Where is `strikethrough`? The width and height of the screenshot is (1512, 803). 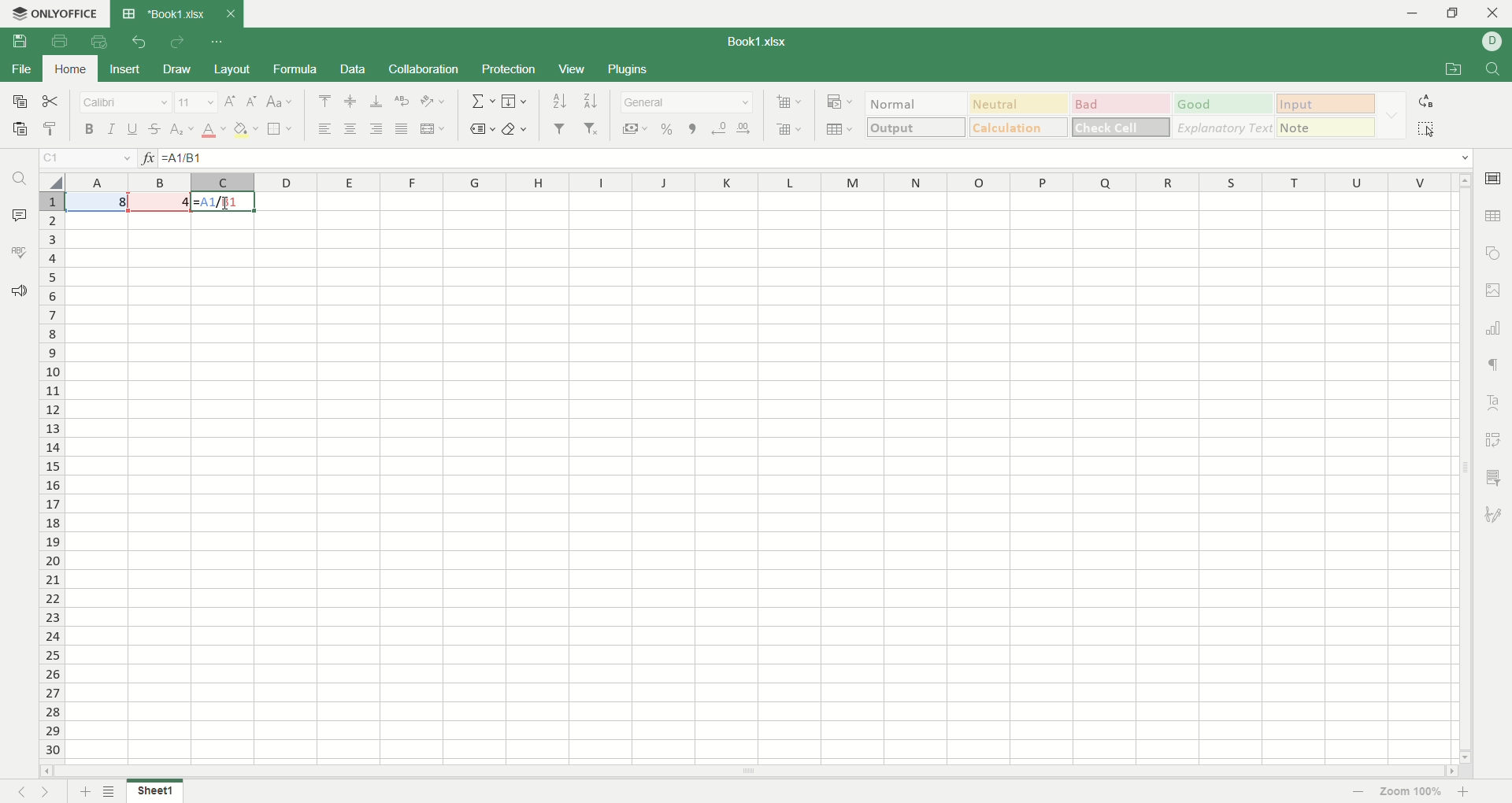
strikethrough is located at coordinates (157, 129).